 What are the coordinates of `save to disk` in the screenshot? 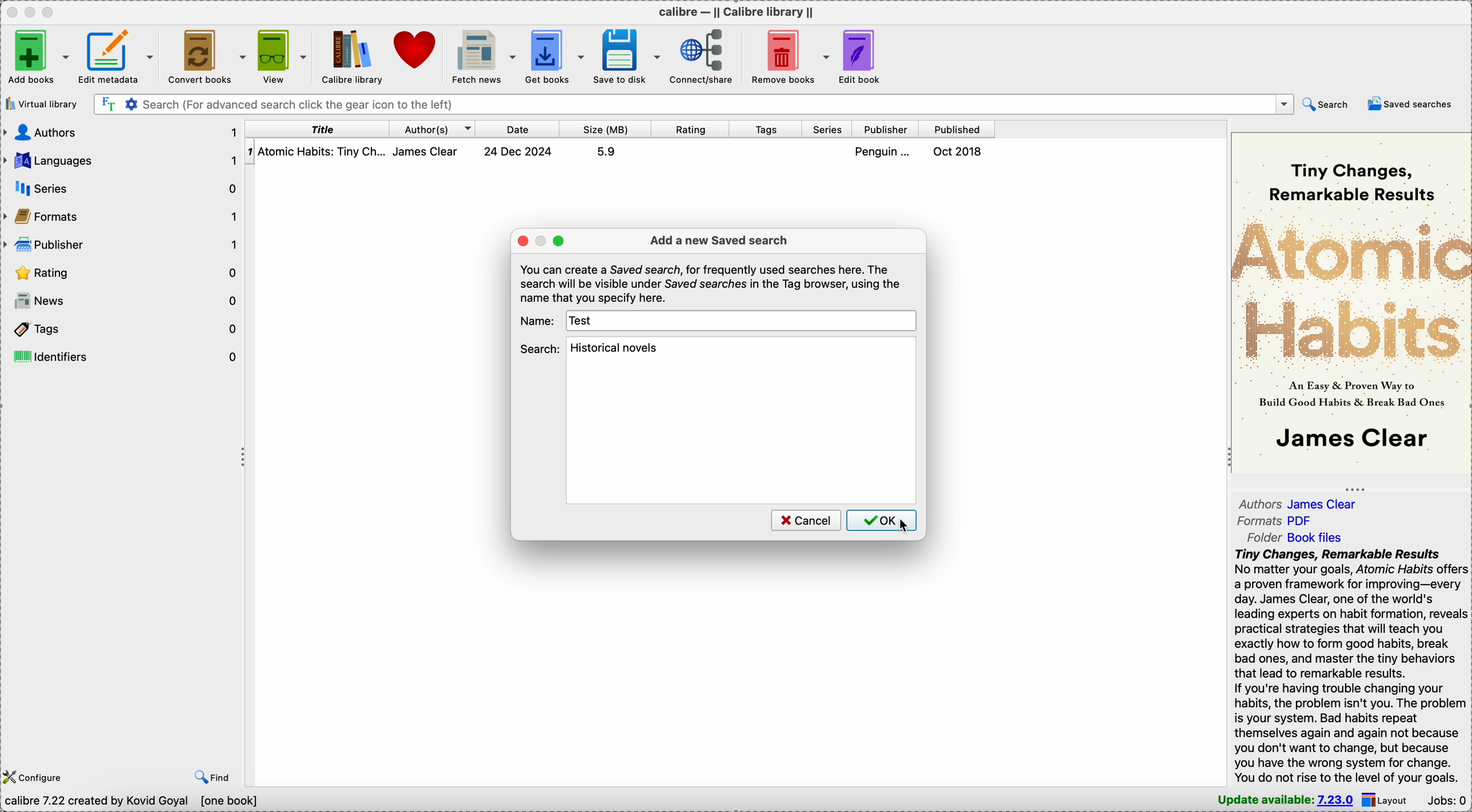 It's located at (629, 55).